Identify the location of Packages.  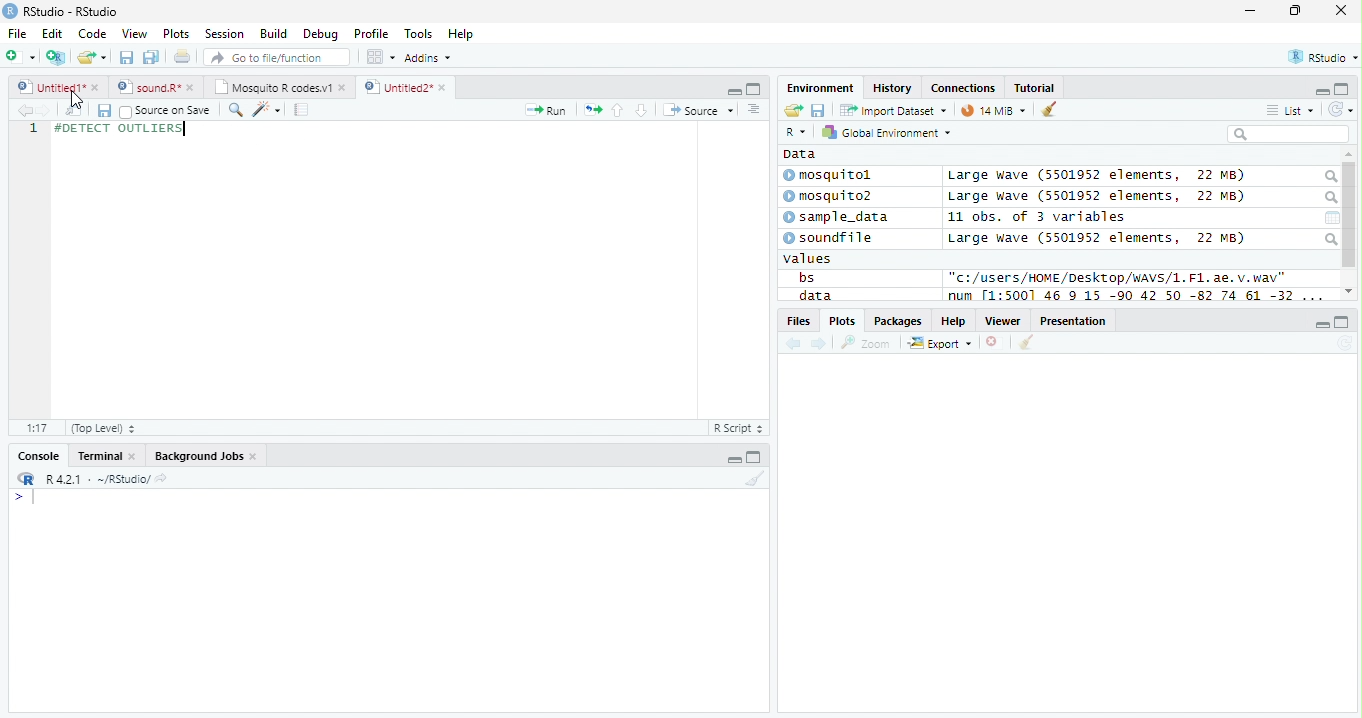
(899, 321).